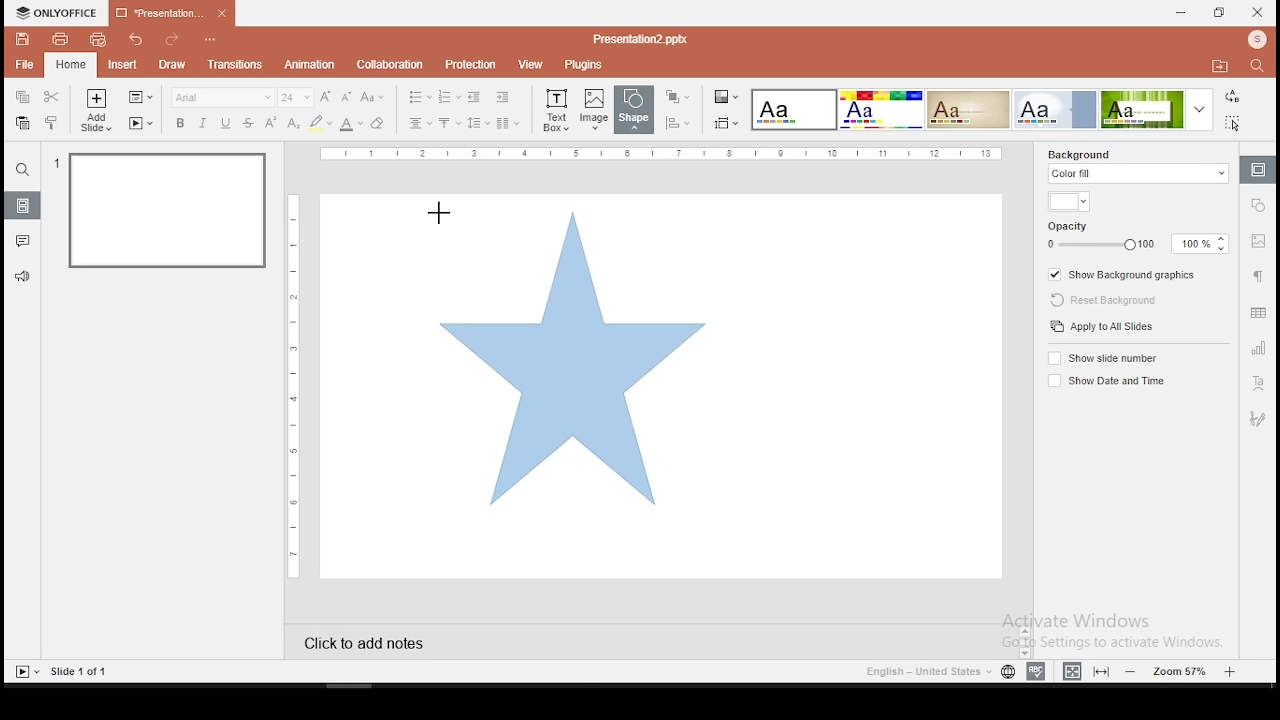 This screenshot has width=1280, height=720. Describe the element at coordinates (172, 12) in the screenshot. I see `presentation` at that location.